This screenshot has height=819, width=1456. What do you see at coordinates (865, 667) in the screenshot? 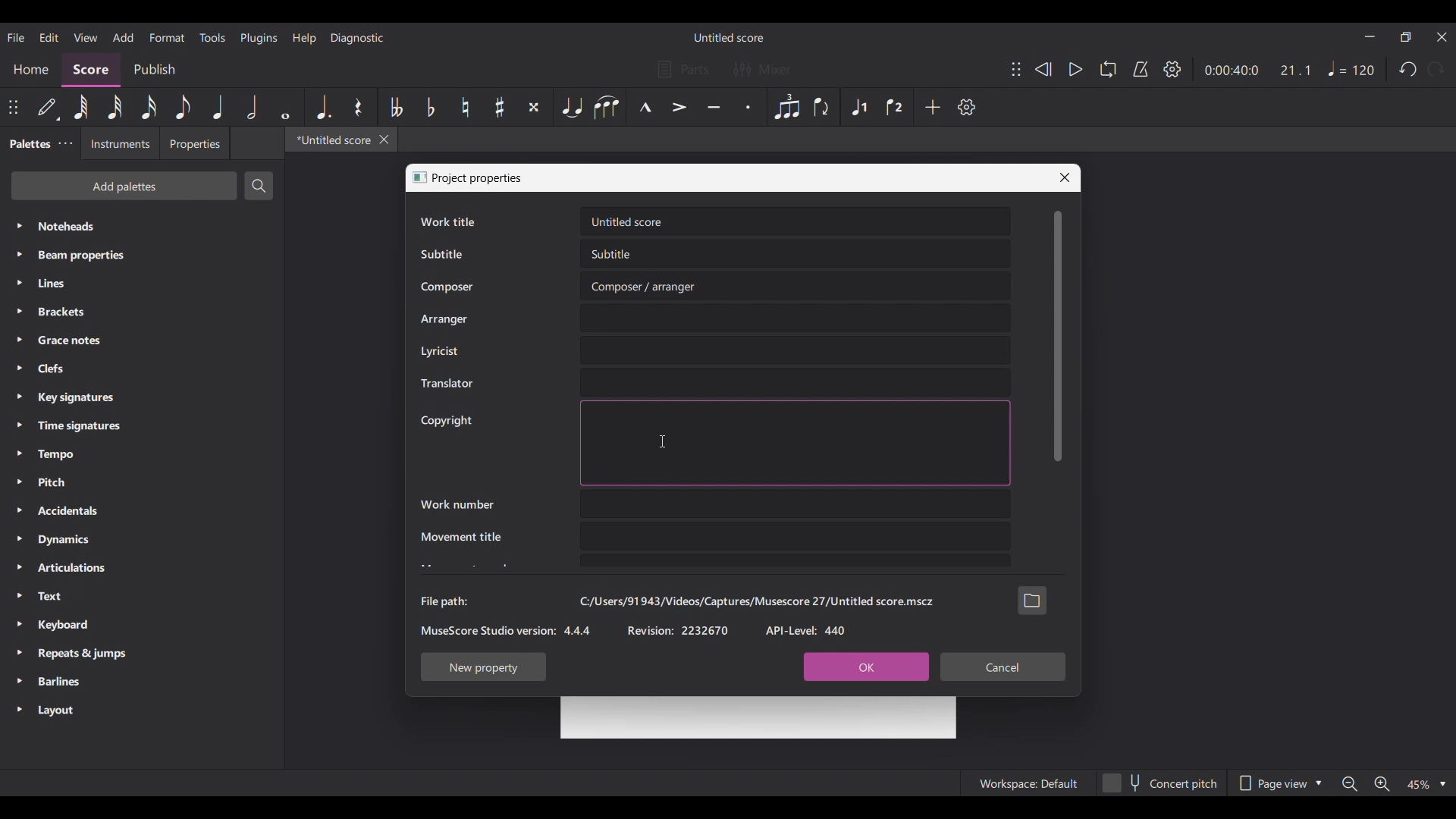
I see `OK` at bounding box center [865, 667].